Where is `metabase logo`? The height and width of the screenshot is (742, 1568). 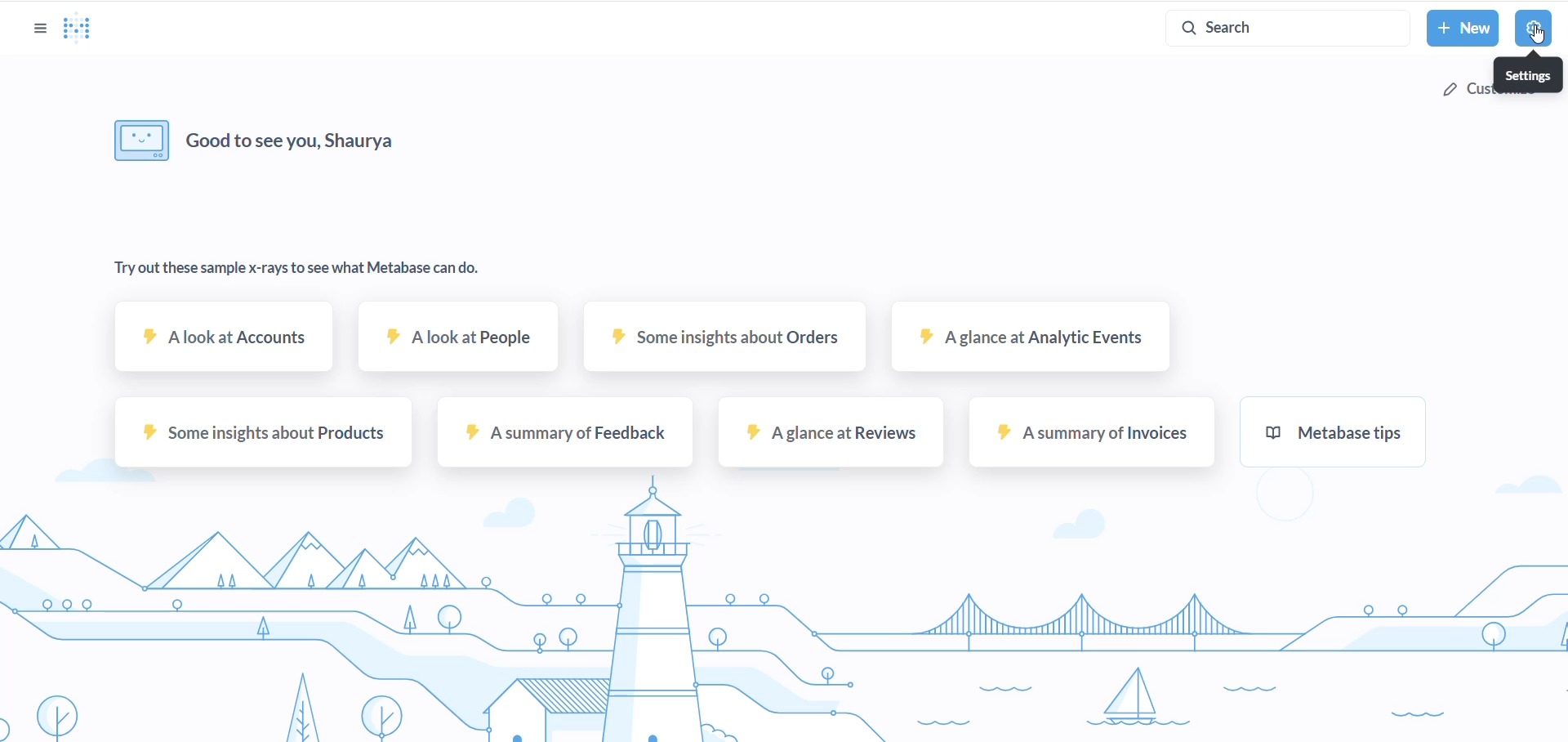
metabase logo is located at coordinates (80, 29).